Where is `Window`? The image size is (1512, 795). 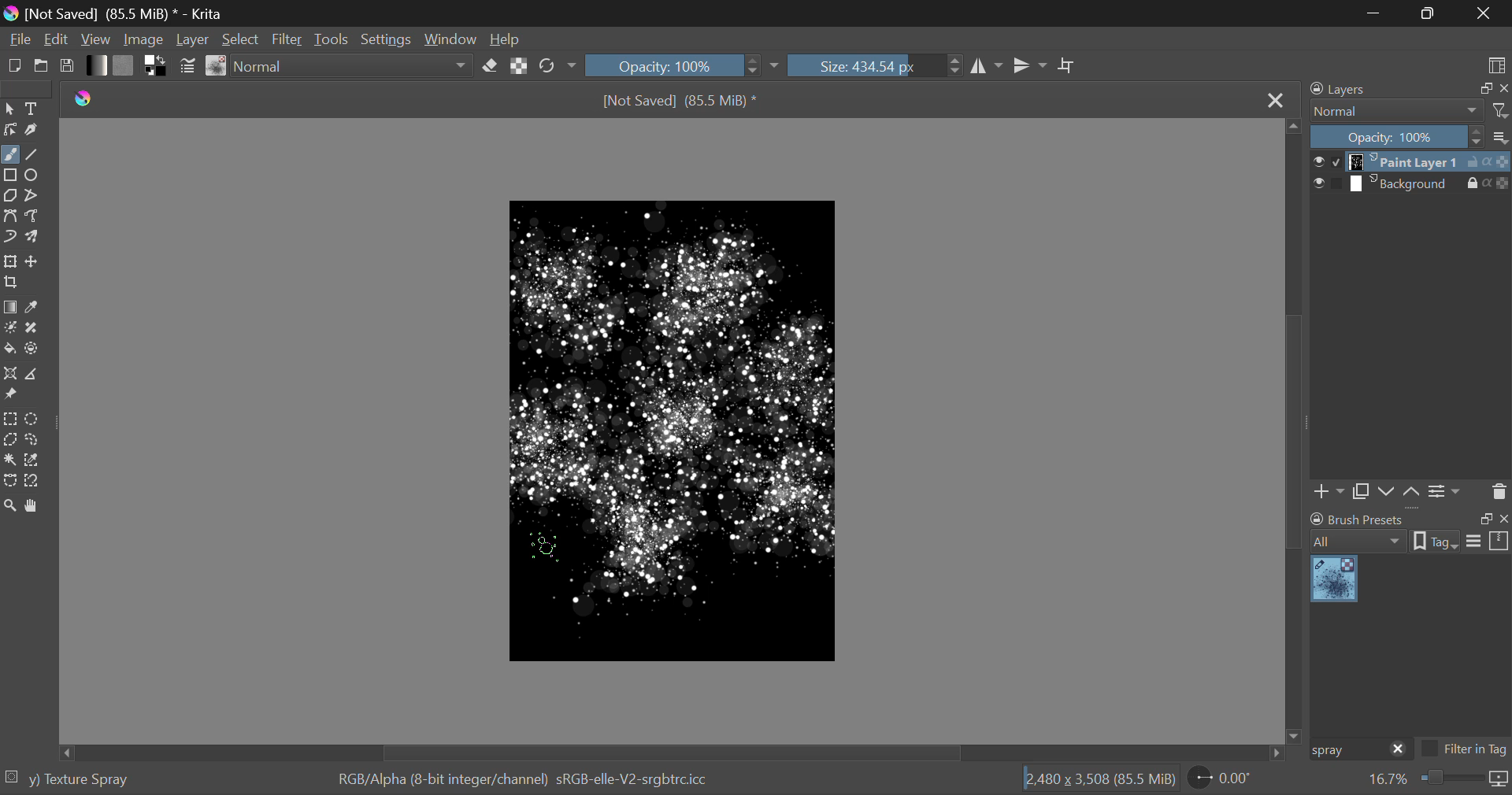 Window is located at coordinates (453, 38).